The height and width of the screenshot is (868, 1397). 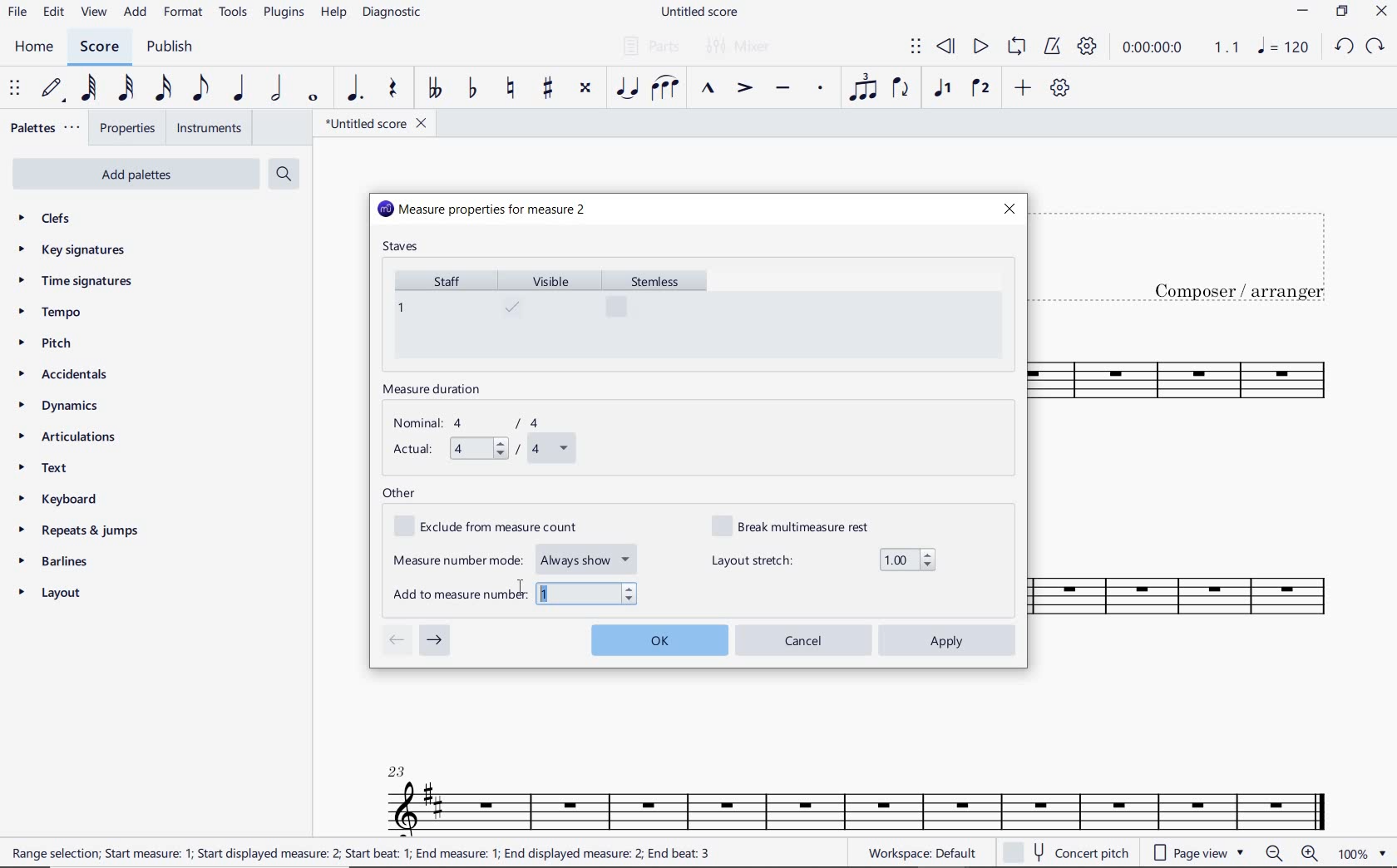 I want to click on workspace default, so click(x=921, y=855).